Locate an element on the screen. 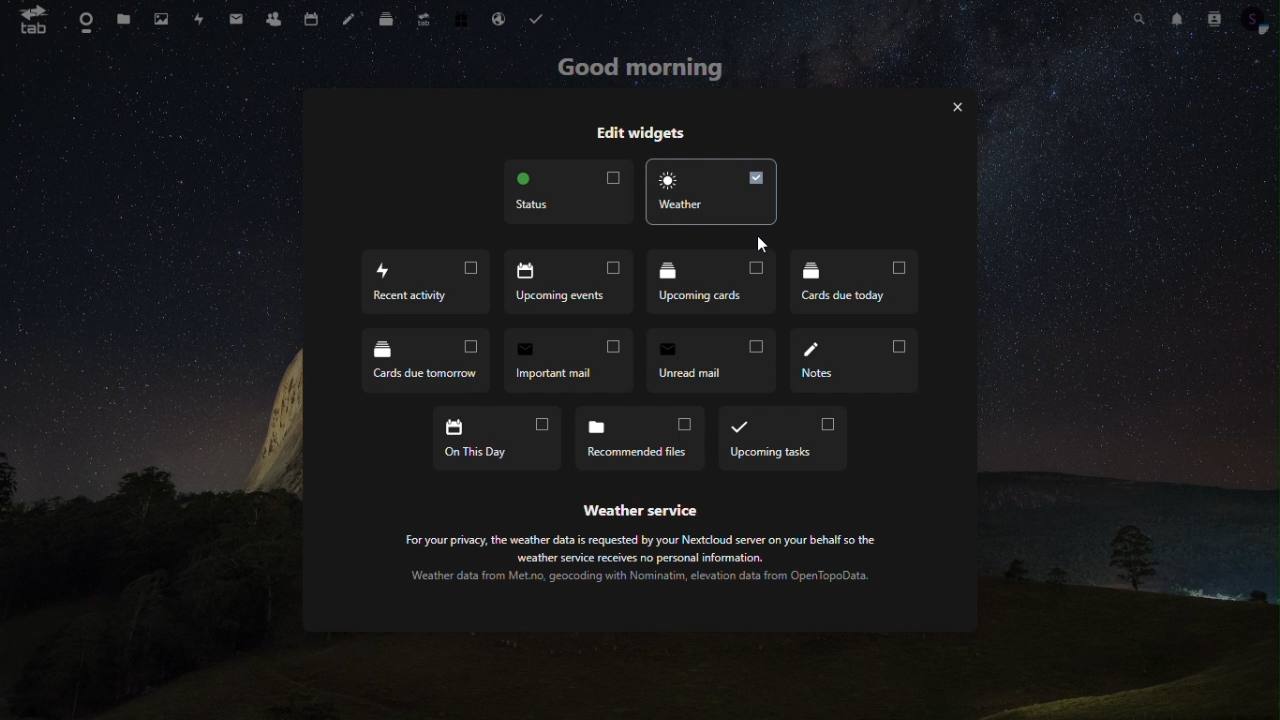  notes is located at coordinates (855, 359).